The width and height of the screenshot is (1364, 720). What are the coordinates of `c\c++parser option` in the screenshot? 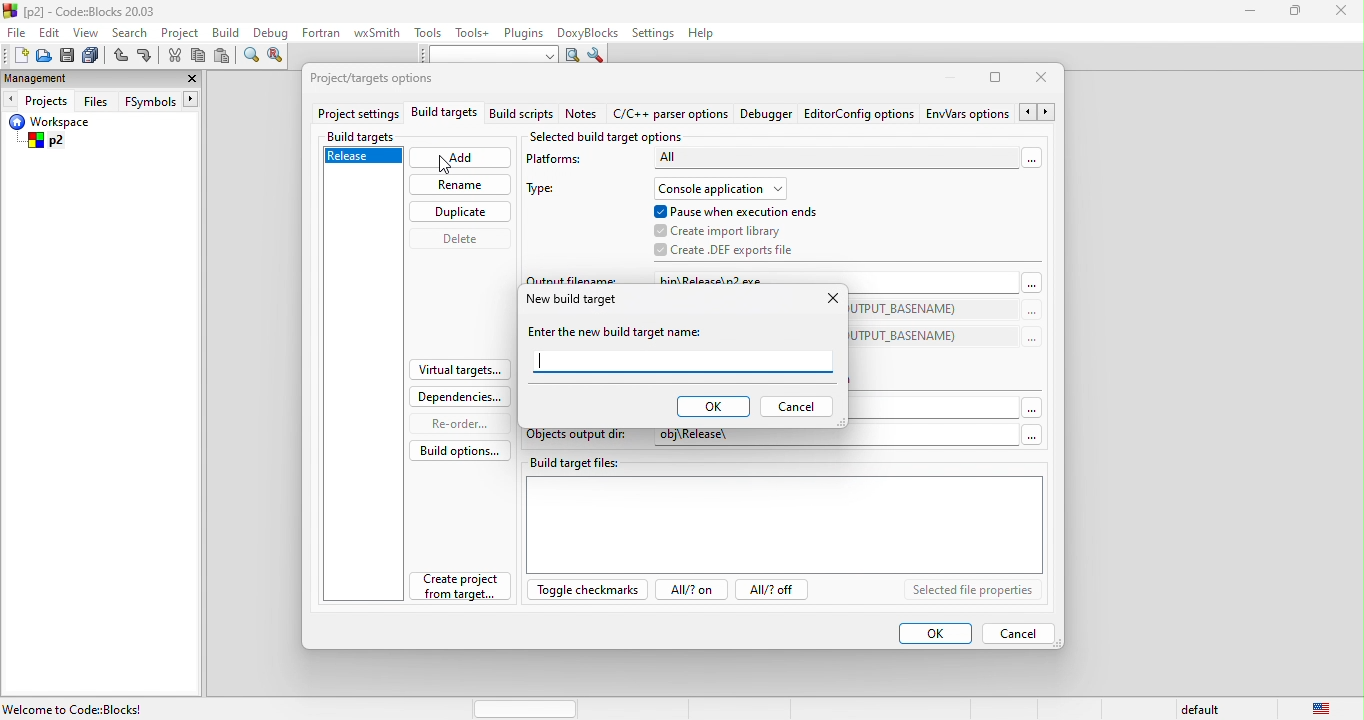 It's located at (671, 113).